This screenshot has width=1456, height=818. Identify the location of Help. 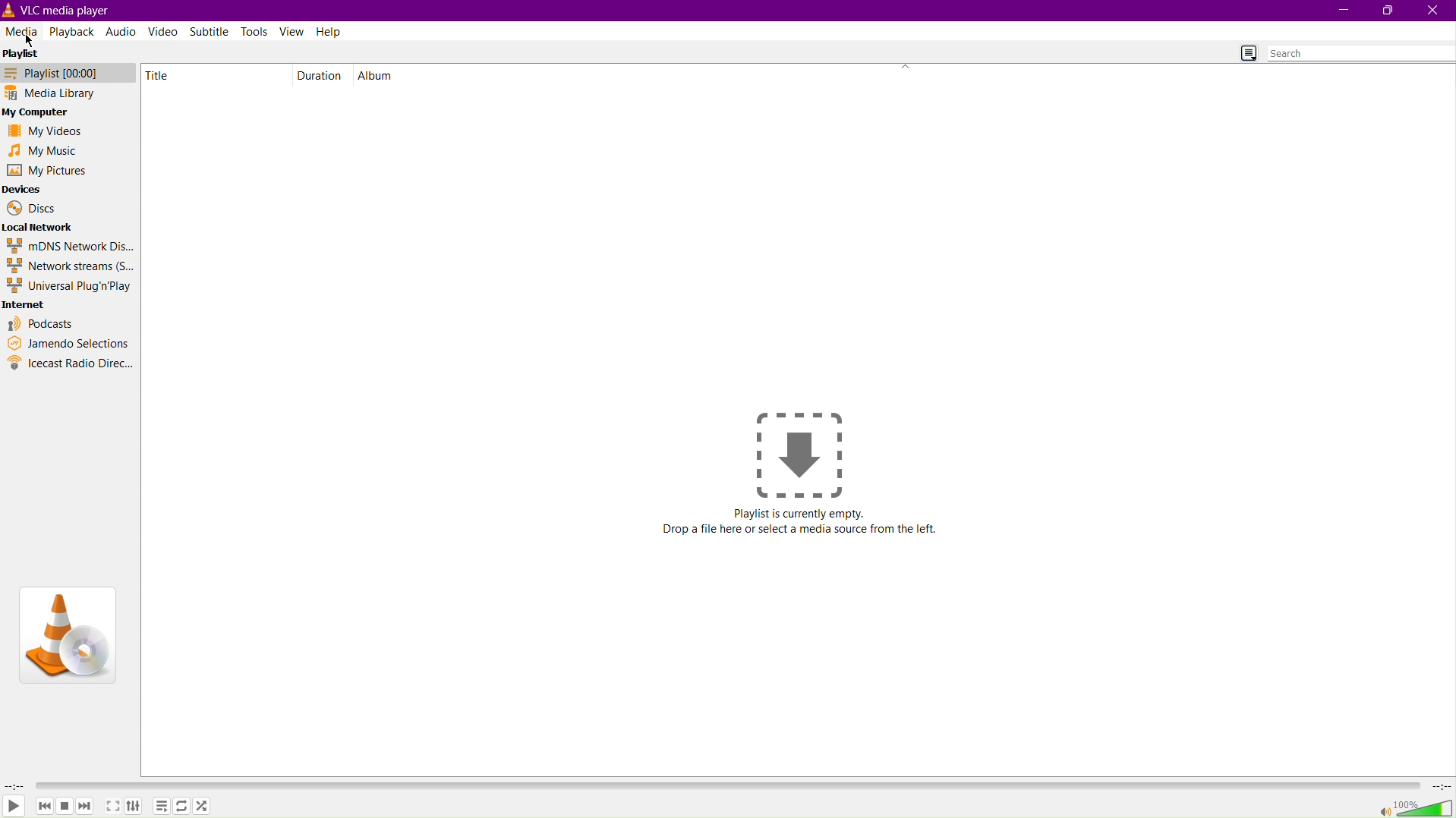
(328, 32).